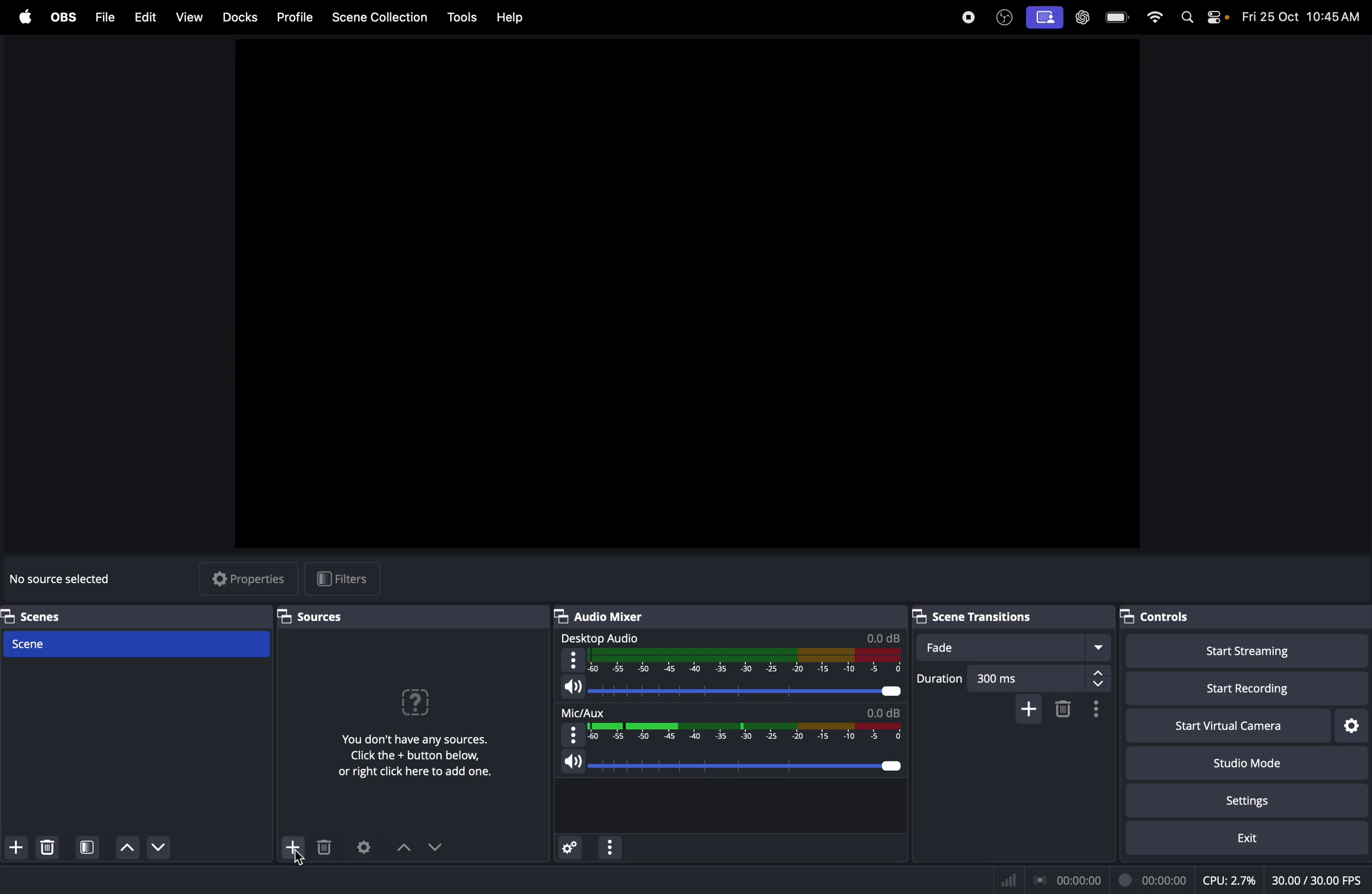 The image size is (1372, 894). Describe the element at coordinates (1041, 678) in the screenshot. I see `300ms` at that location.